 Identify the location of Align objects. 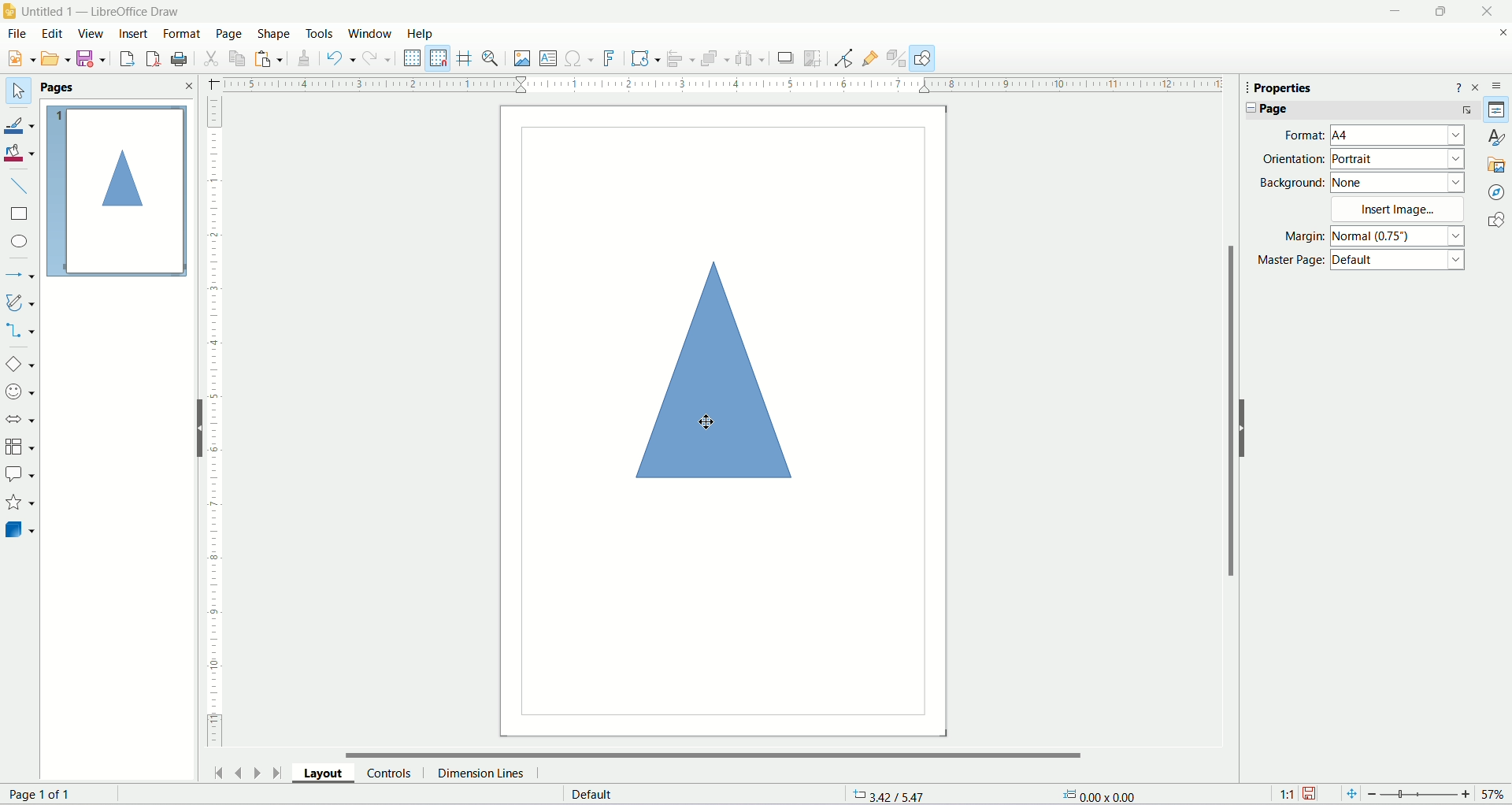
(680, 57).